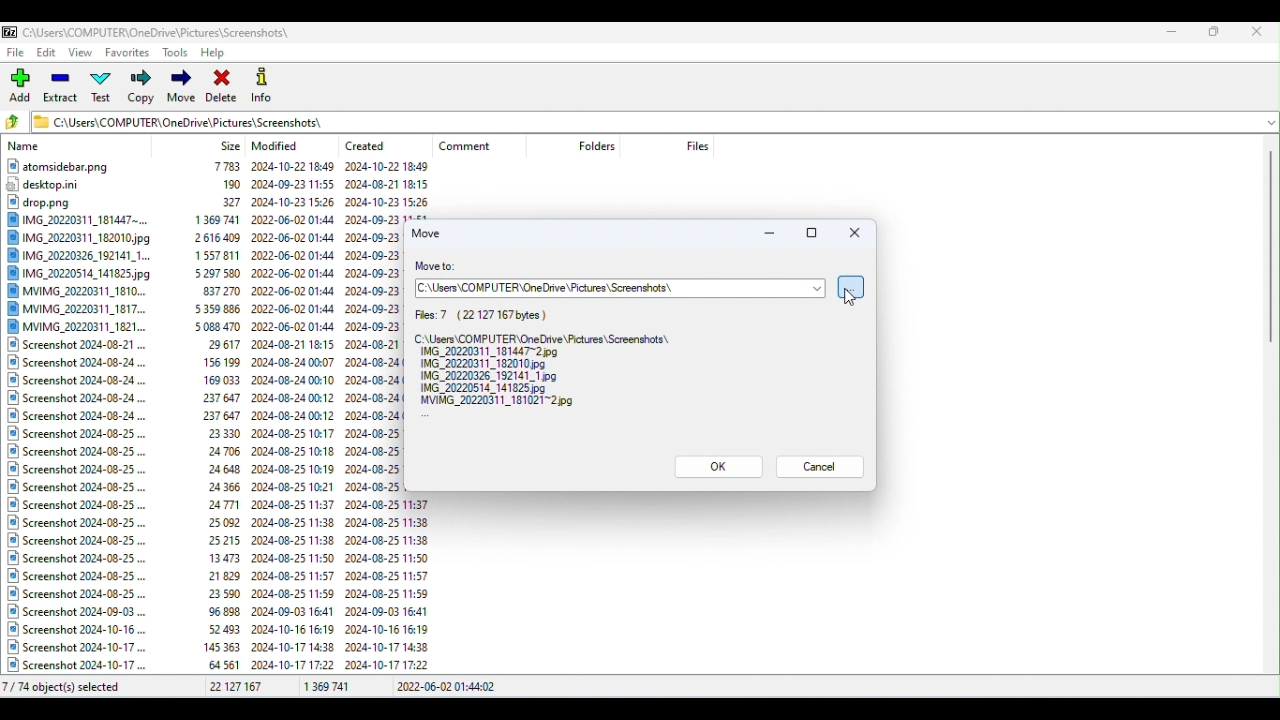 The image size is (1280, 720). I want to click on Copy, so click(140, 88).